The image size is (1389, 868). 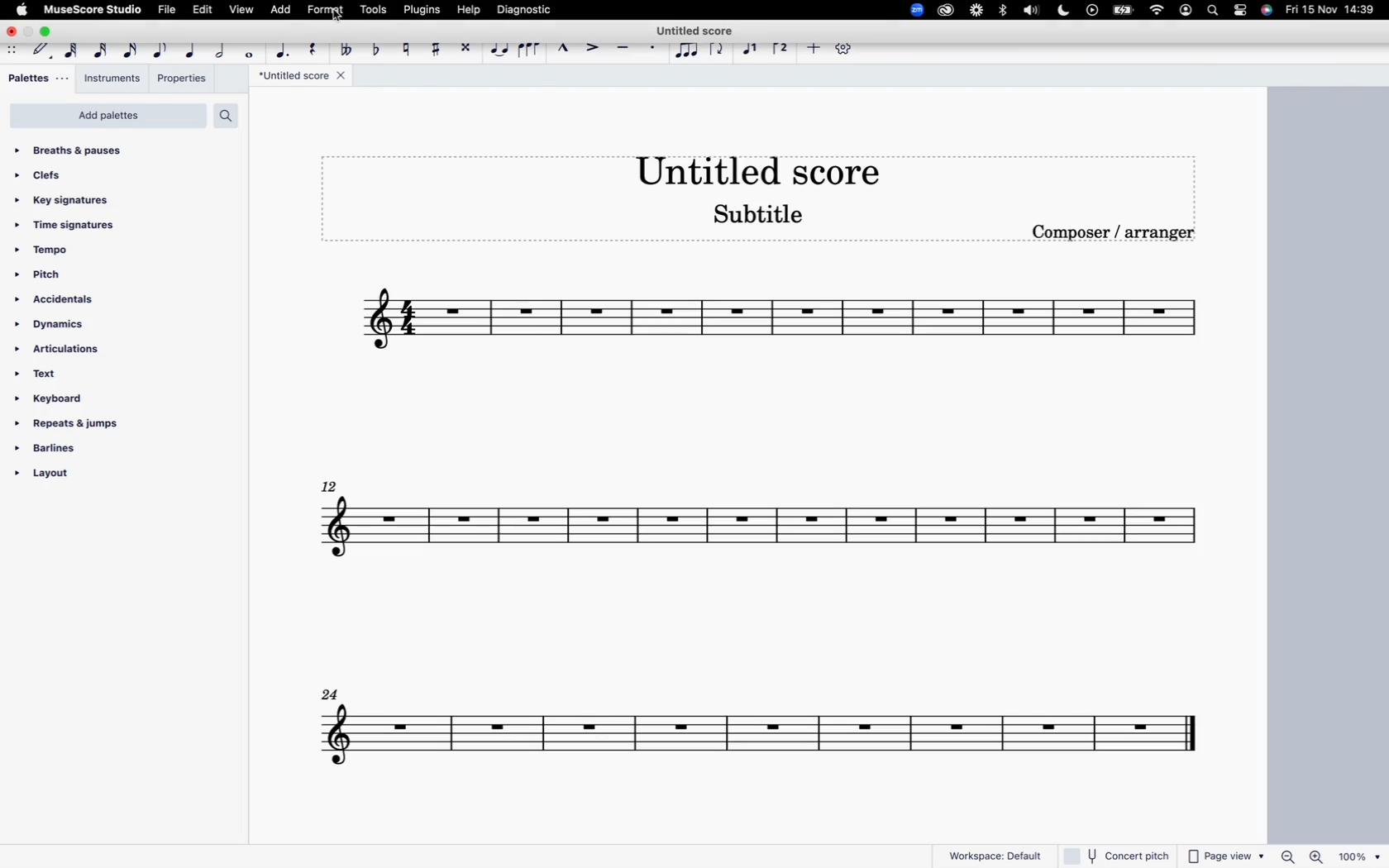 What do you see at coordinates (10, 32) in the screenshot?
I see `close` at bounding box center [10, 32].